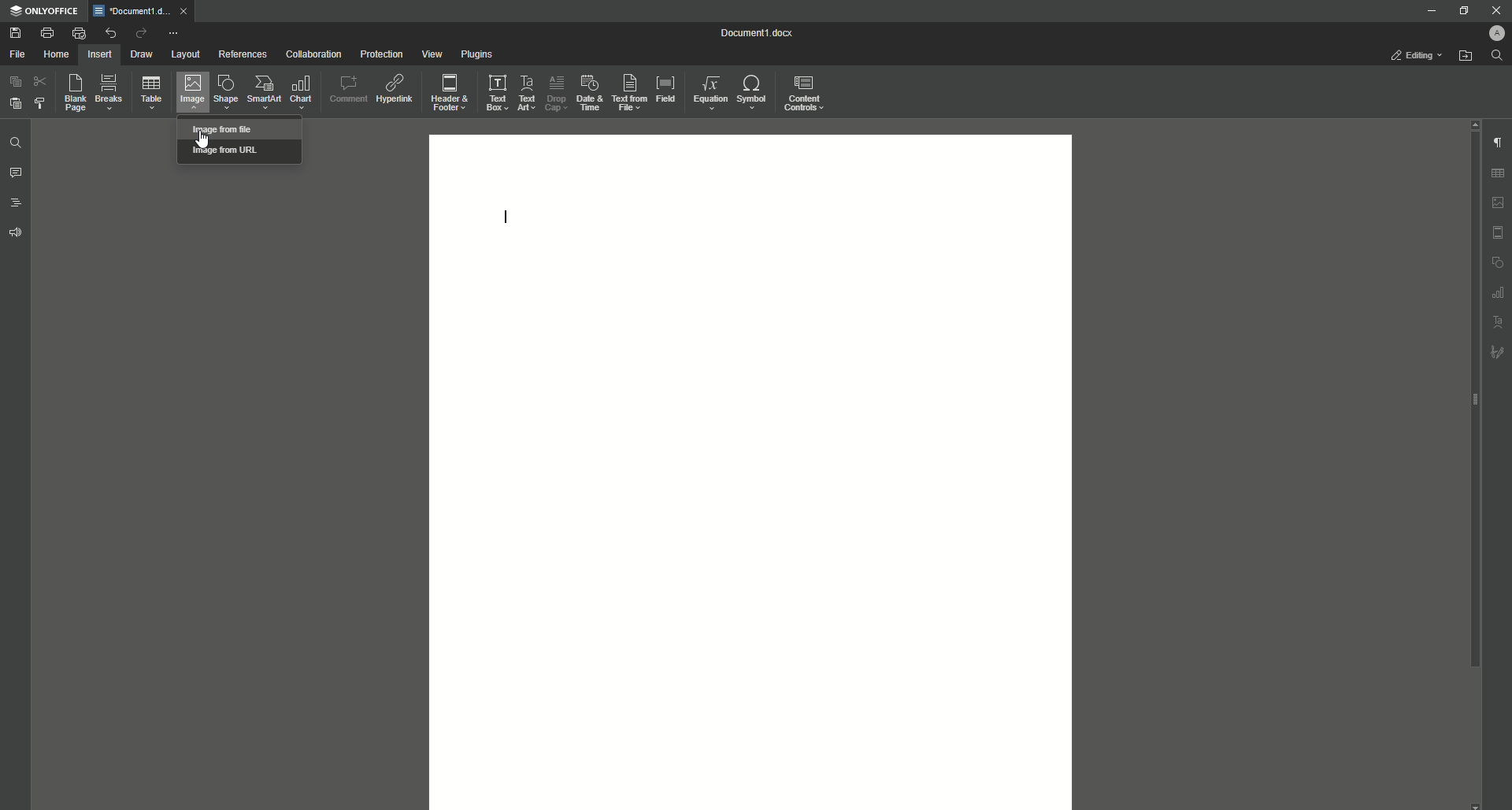 Image resolution: width=1512 pixels, height=810 pixels. What do you see at coordinates (302, 93) in the screenshot?
I see `Chart` at bounding box center [302, 93].